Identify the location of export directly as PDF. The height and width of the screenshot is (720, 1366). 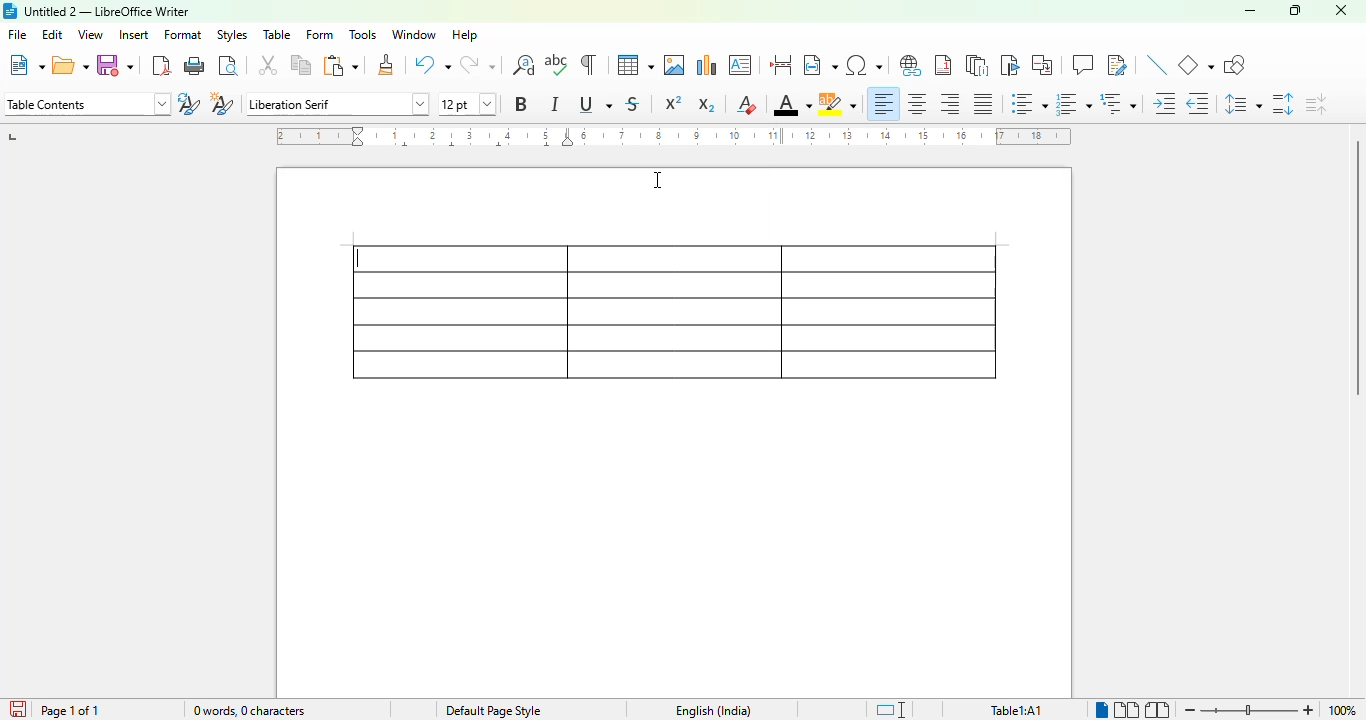
(162, 66).